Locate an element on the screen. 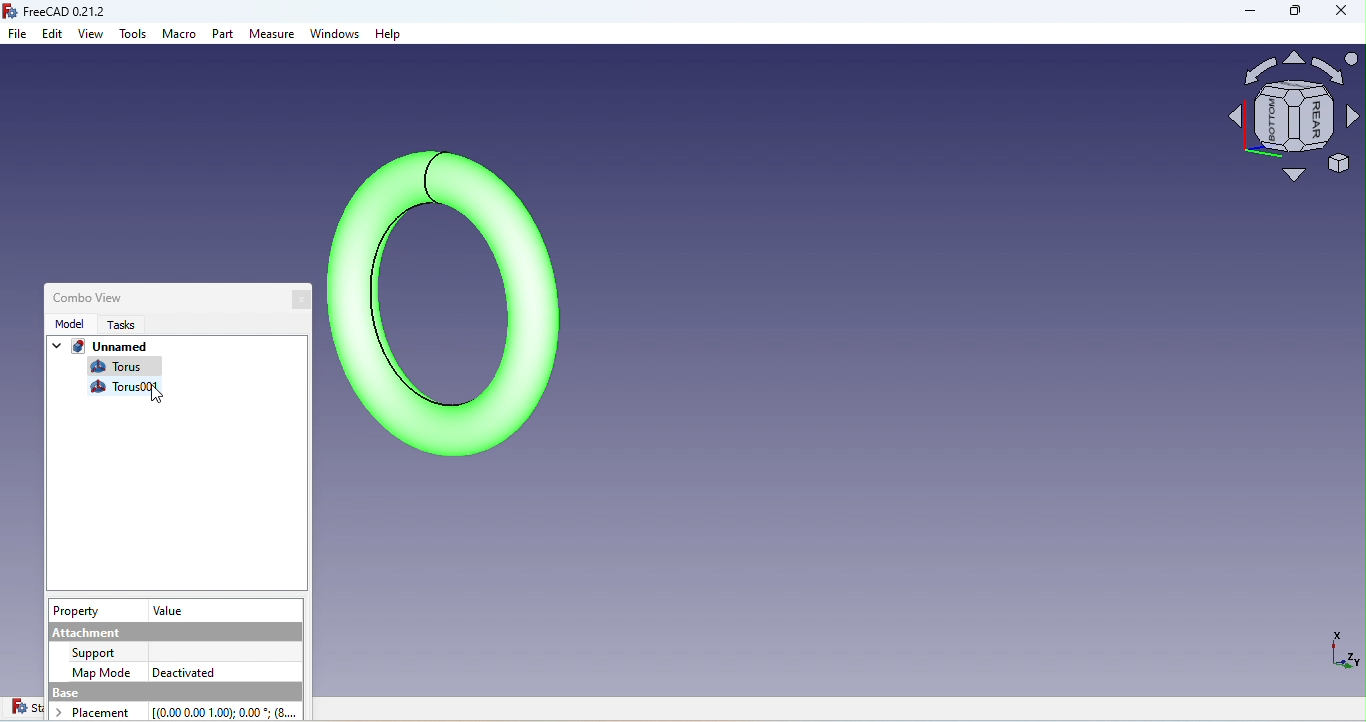  Tools is located at coordinates (134, 38).